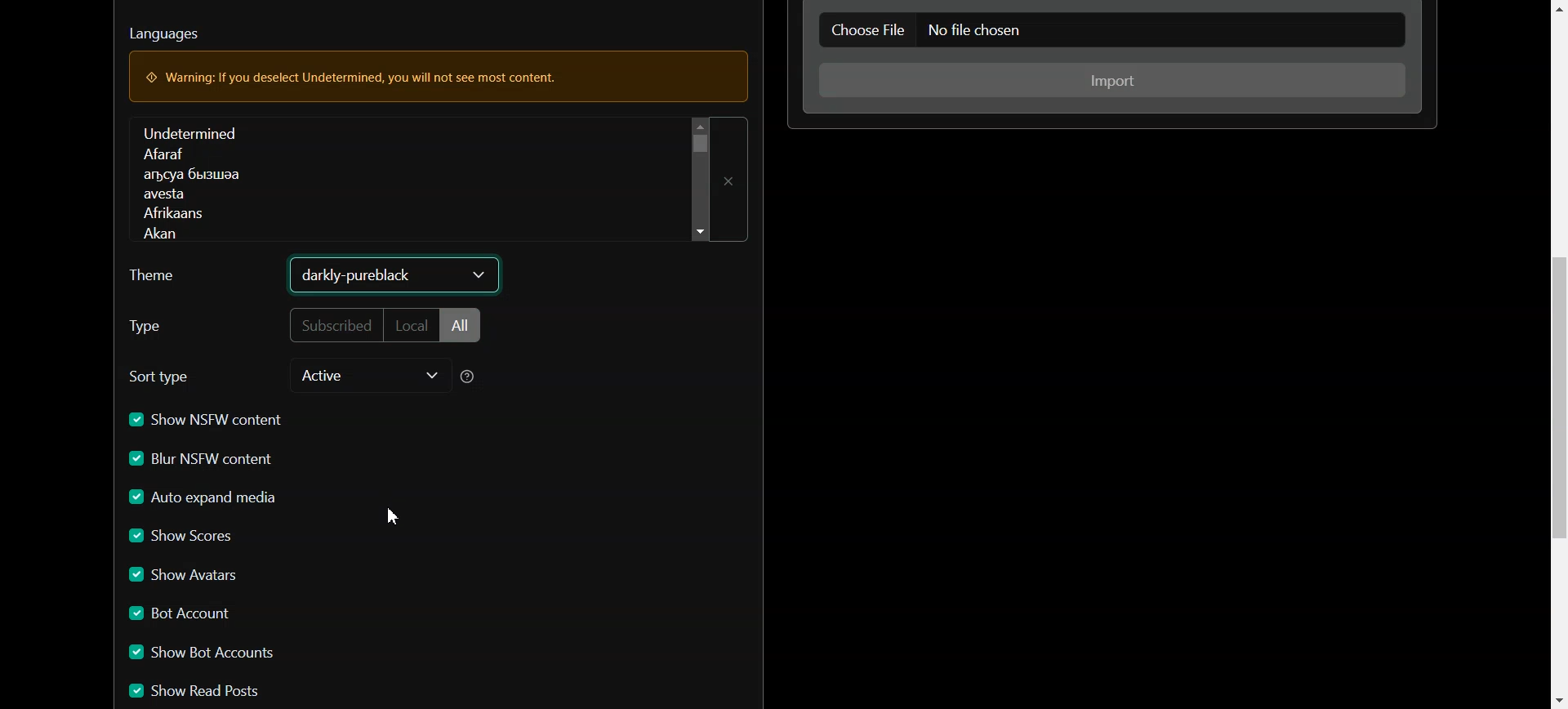  I want to click on Theme , so click(163, 279).